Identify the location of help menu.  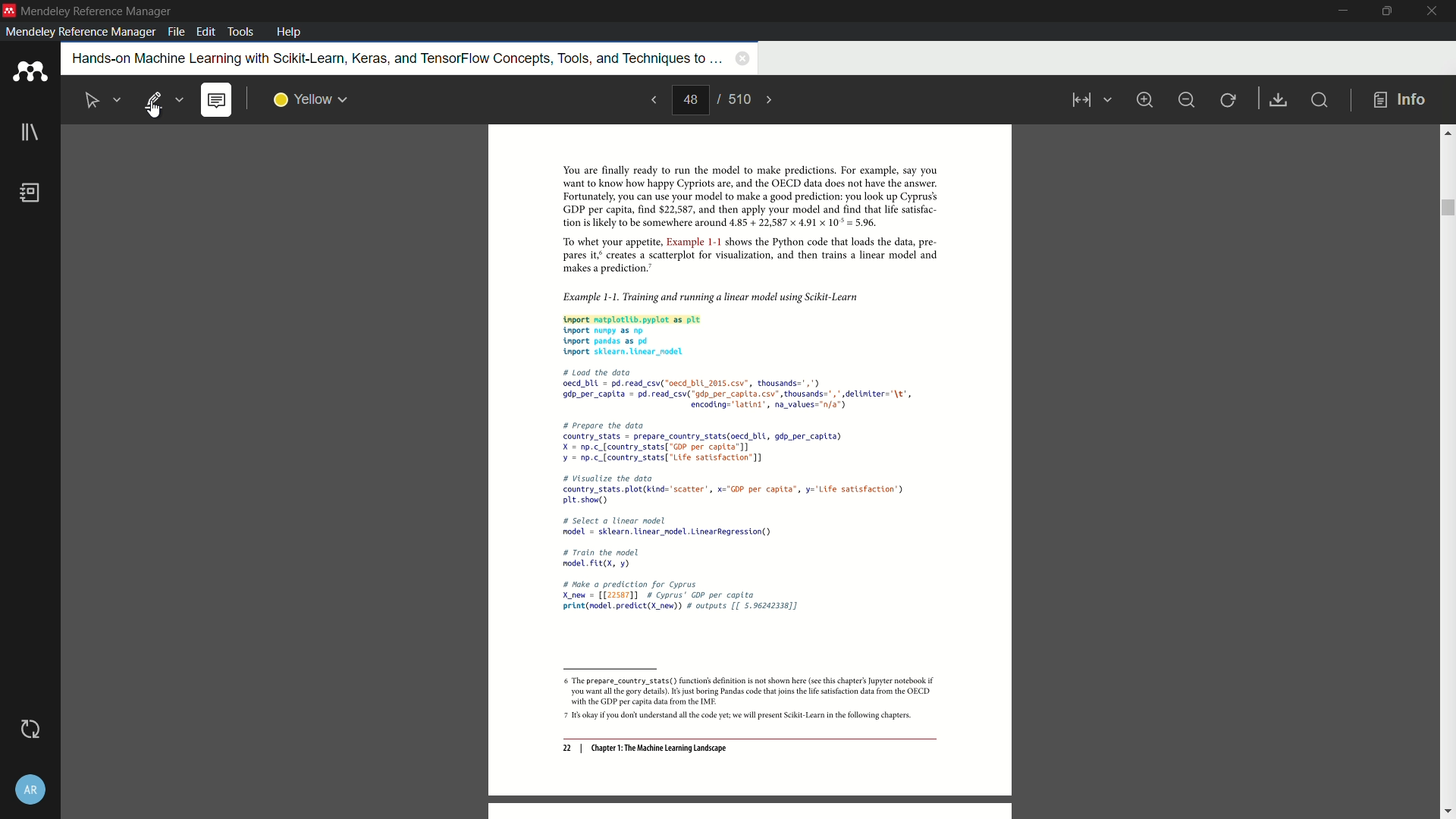
(289, 32).